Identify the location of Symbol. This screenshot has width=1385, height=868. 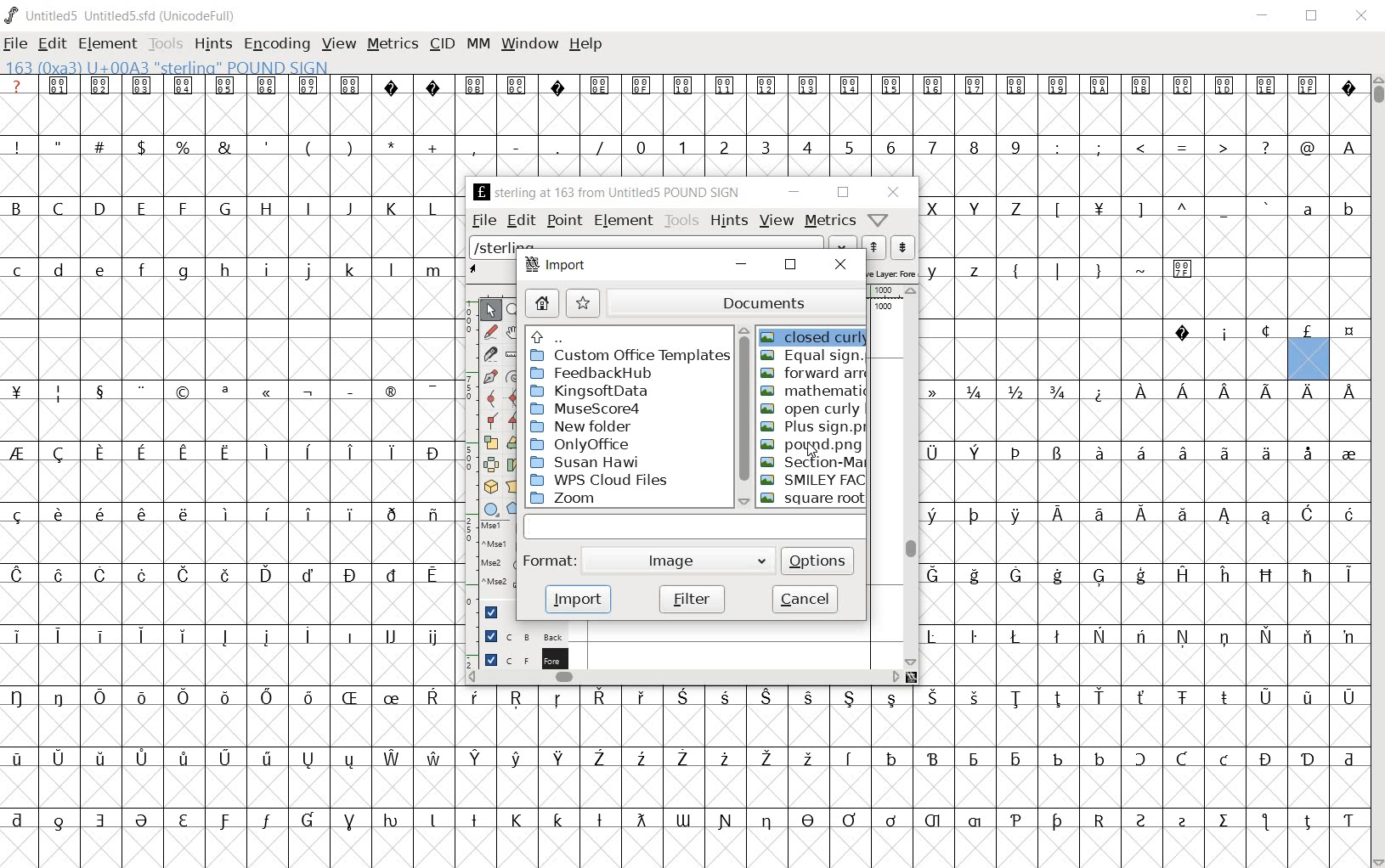
(142, 577).